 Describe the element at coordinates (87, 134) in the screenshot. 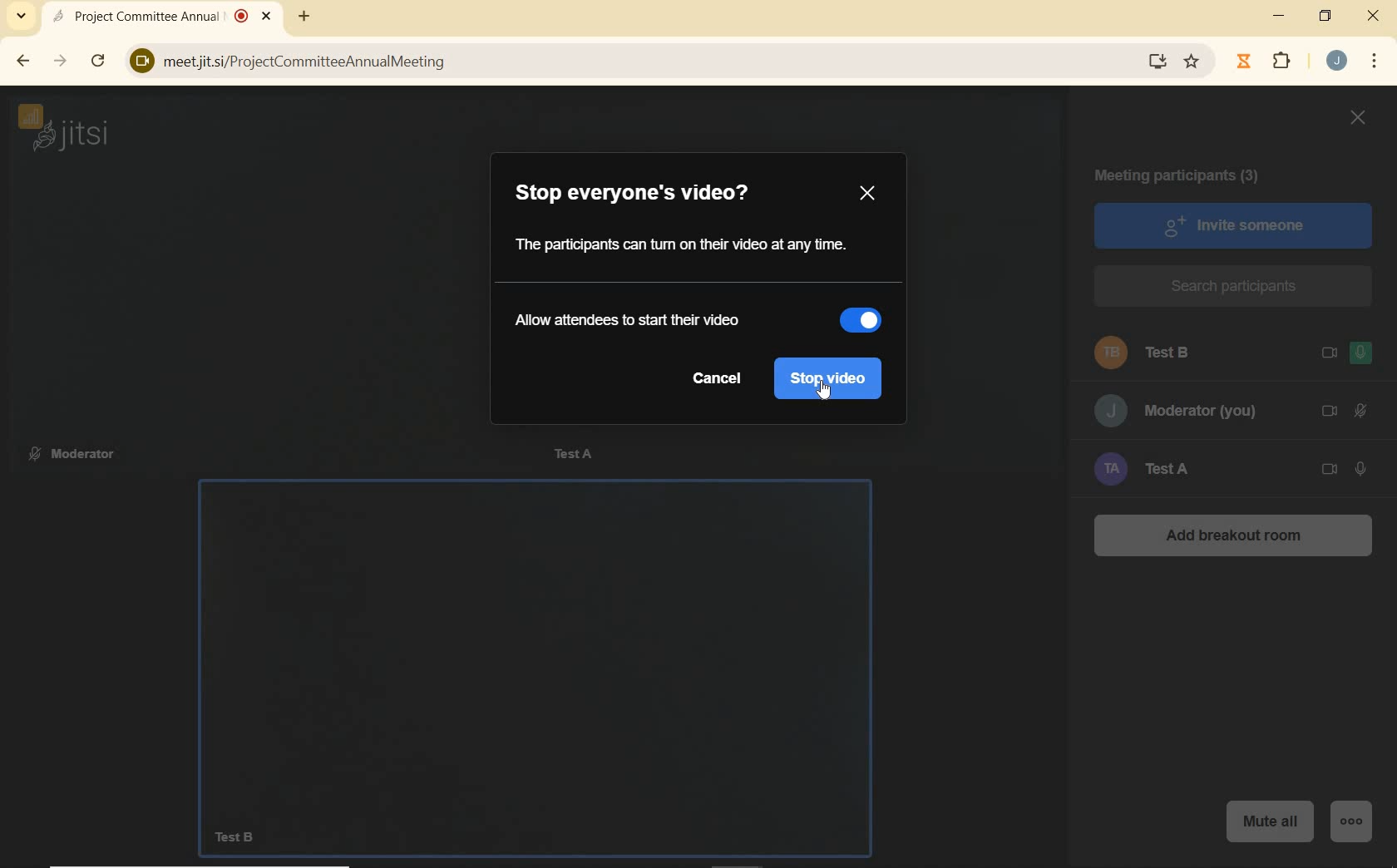

I see `jitsi` at that location.